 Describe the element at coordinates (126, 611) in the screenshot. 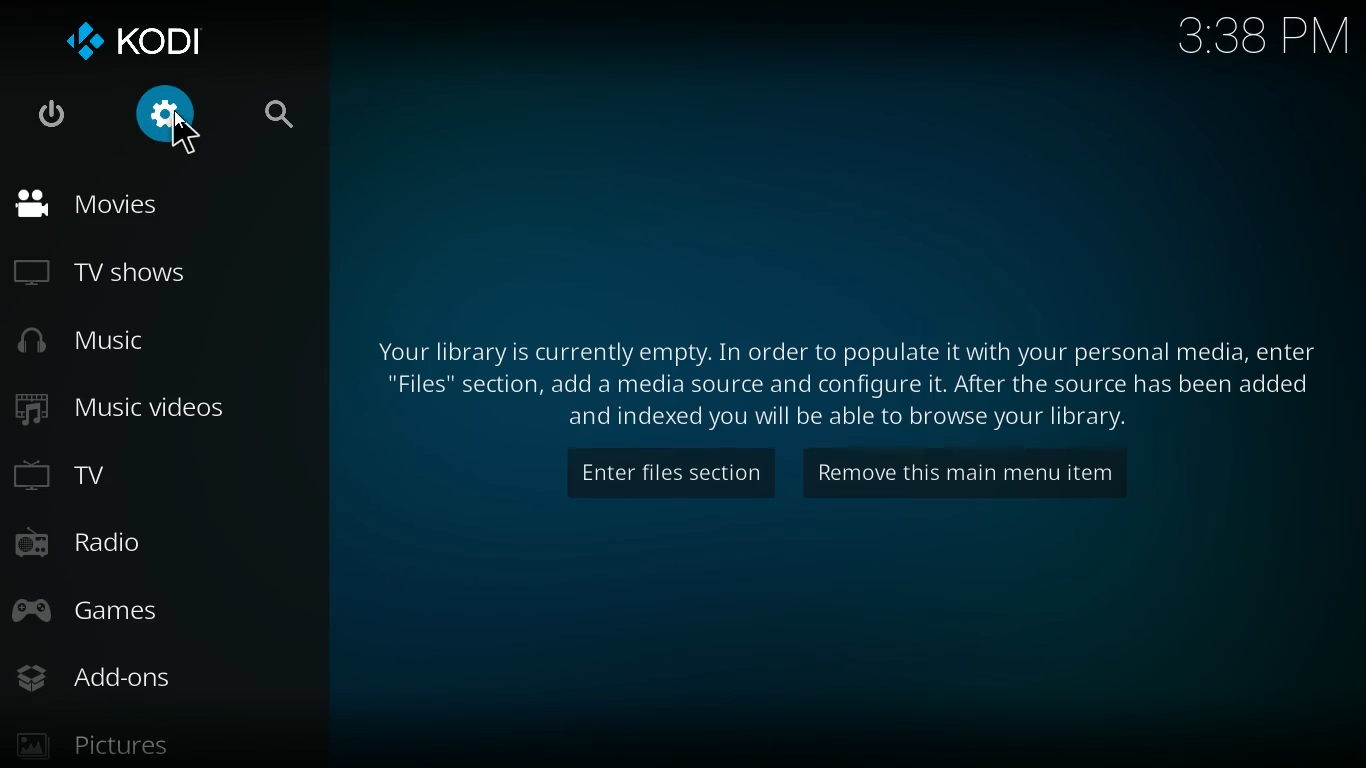

I see `games` at that location.